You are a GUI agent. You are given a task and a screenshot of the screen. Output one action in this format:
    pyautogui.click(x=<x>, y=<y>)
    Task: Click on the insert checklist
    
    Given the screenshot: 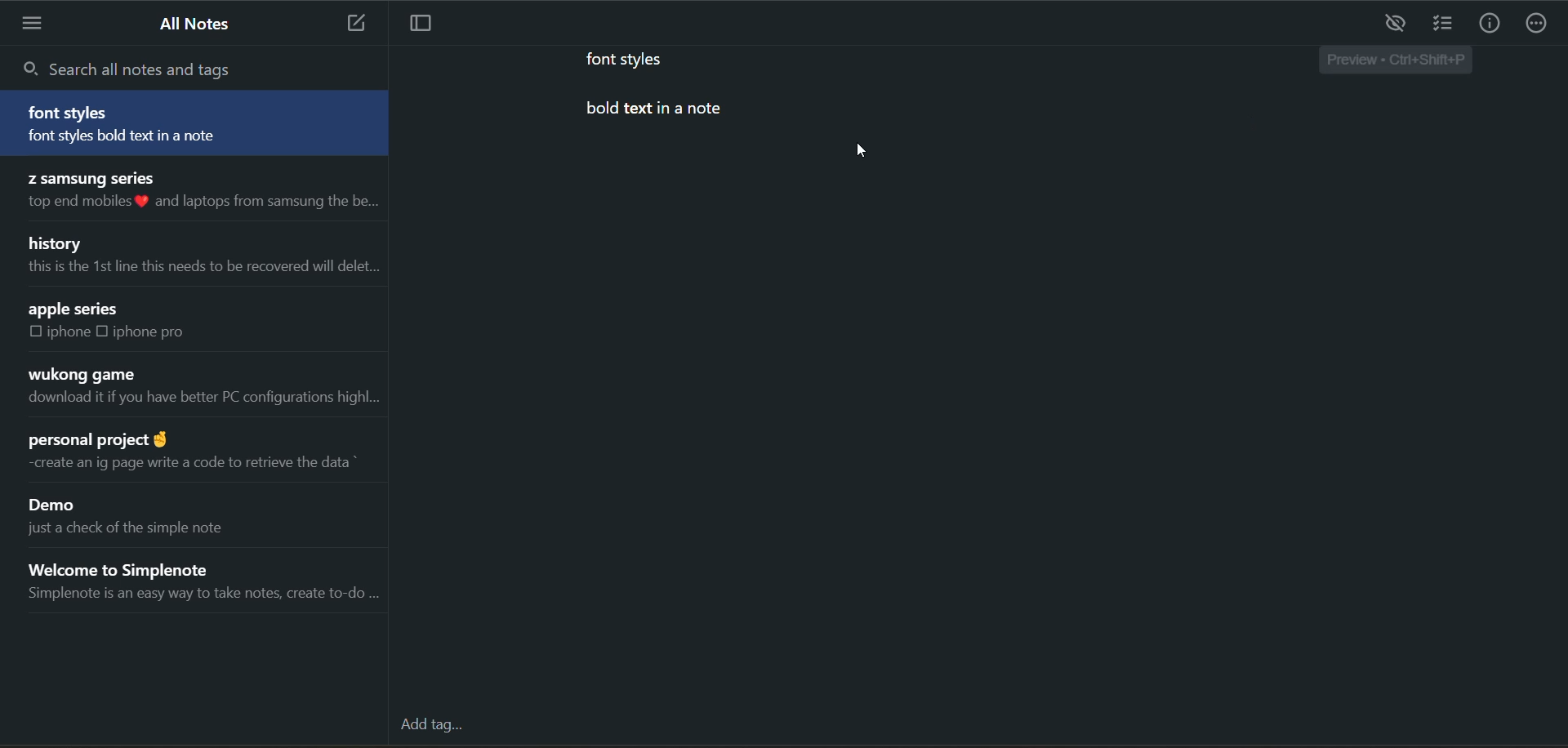 What is the action you would take?
    pyautogui.click(x=1443, y=25)
    